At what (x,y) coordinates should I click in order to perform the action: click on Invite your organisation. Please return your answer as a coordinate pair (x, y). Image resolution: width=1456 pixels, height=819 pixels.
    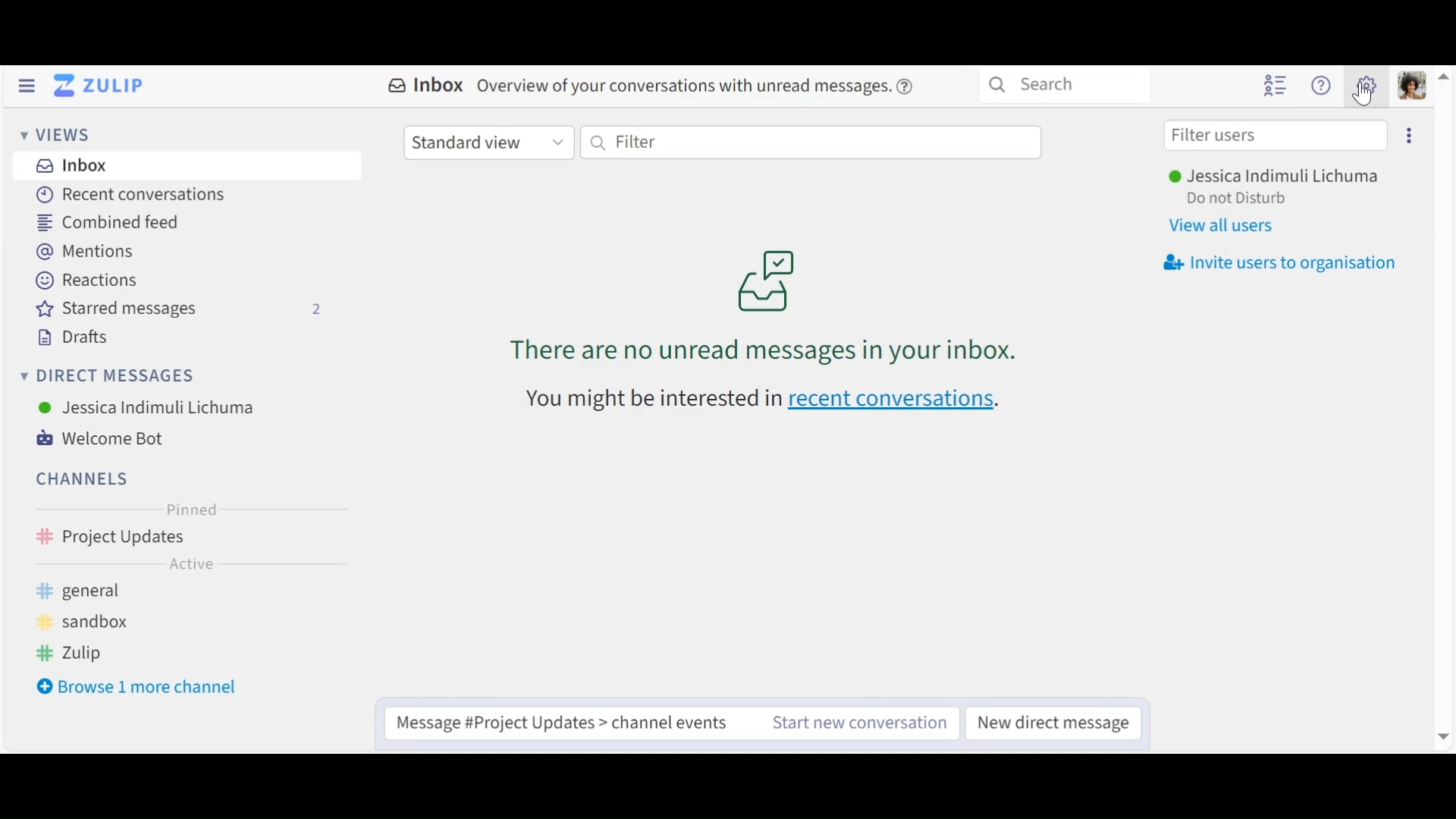
    Looking at the image, I should click on (1276, 263).